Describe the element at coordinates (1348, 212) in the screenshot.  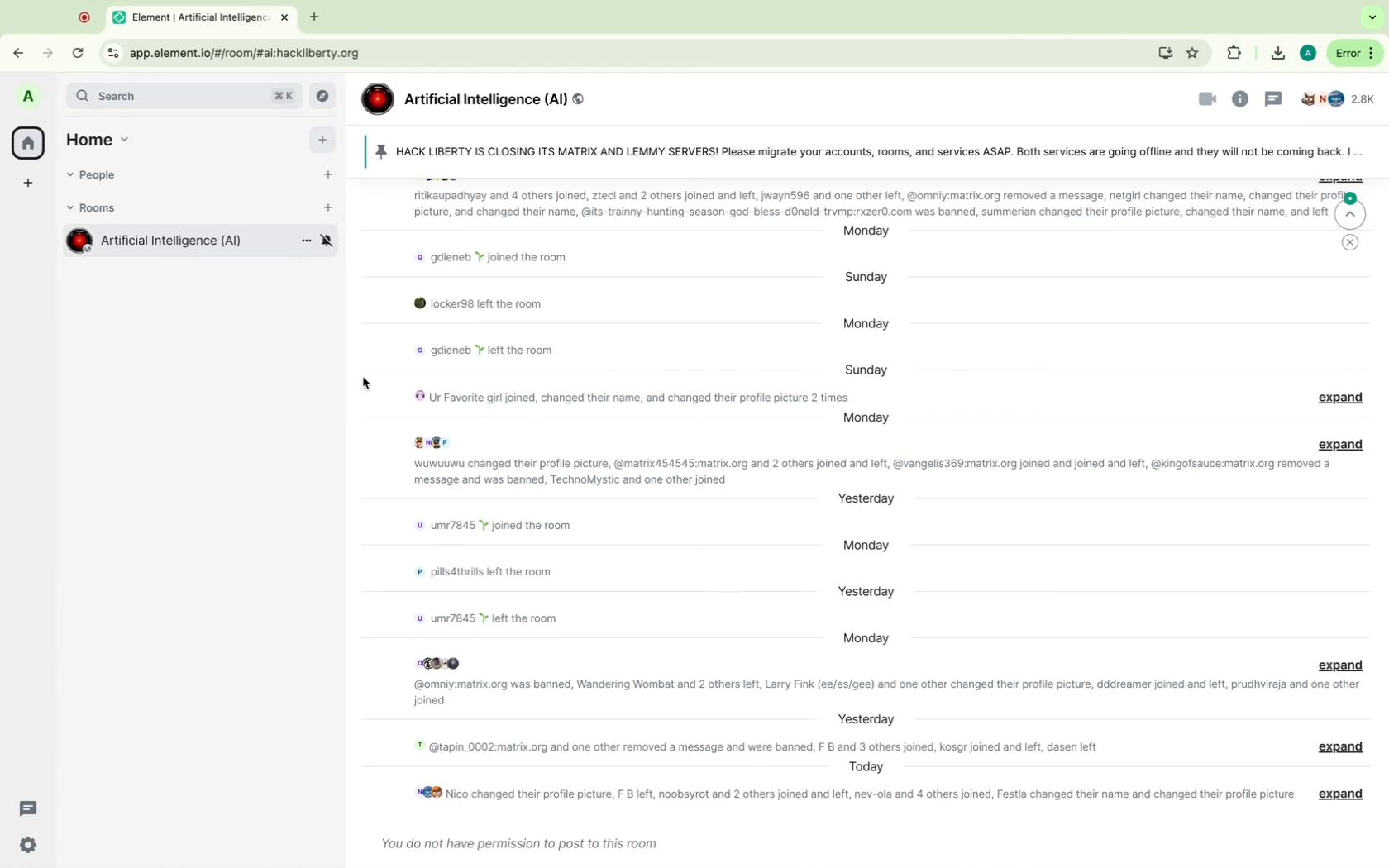
I see `jump to first message` at that location.